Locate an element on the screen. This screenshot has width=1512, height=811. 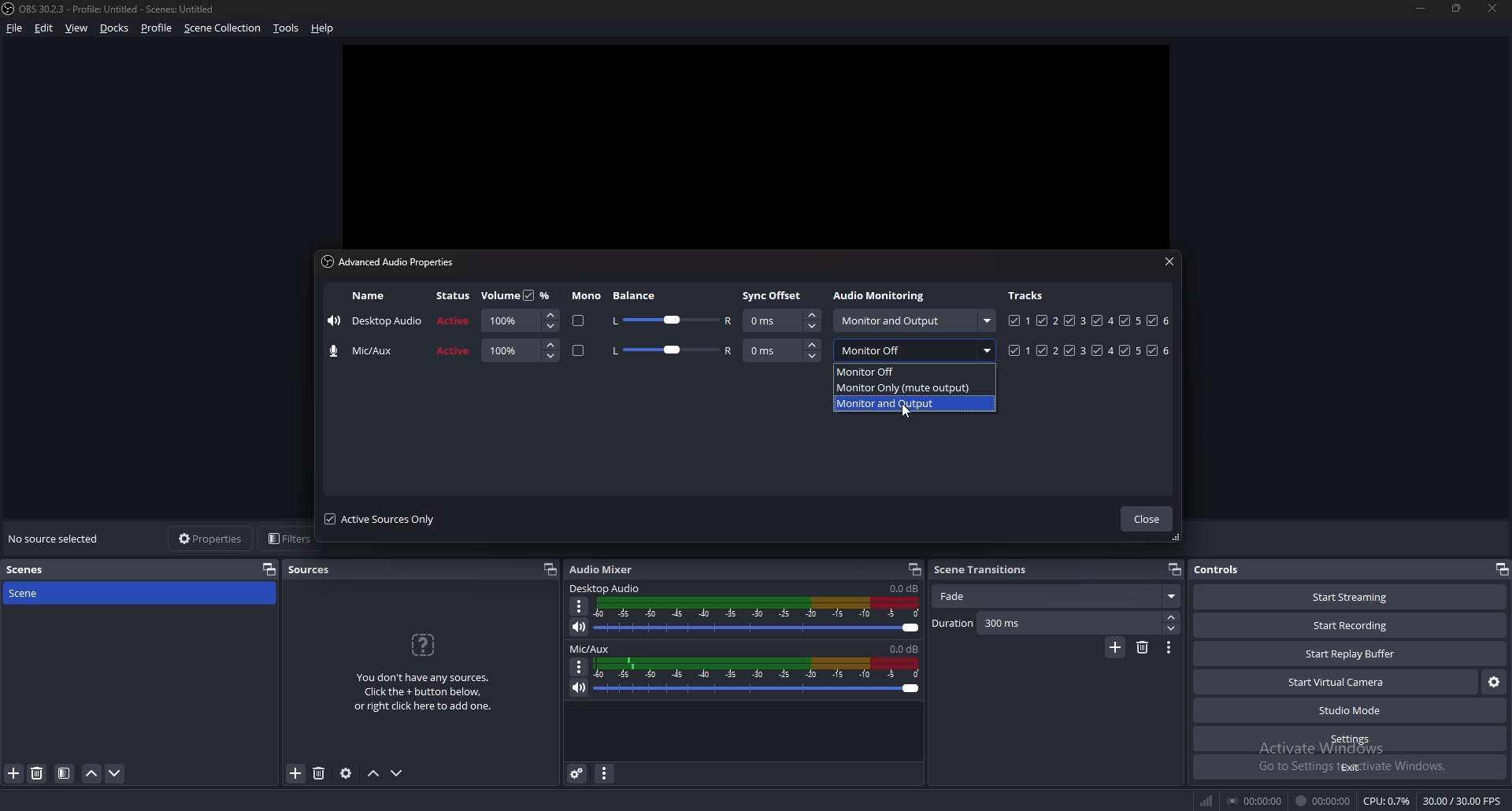
scene transitions is located at coordinates (983, 569).